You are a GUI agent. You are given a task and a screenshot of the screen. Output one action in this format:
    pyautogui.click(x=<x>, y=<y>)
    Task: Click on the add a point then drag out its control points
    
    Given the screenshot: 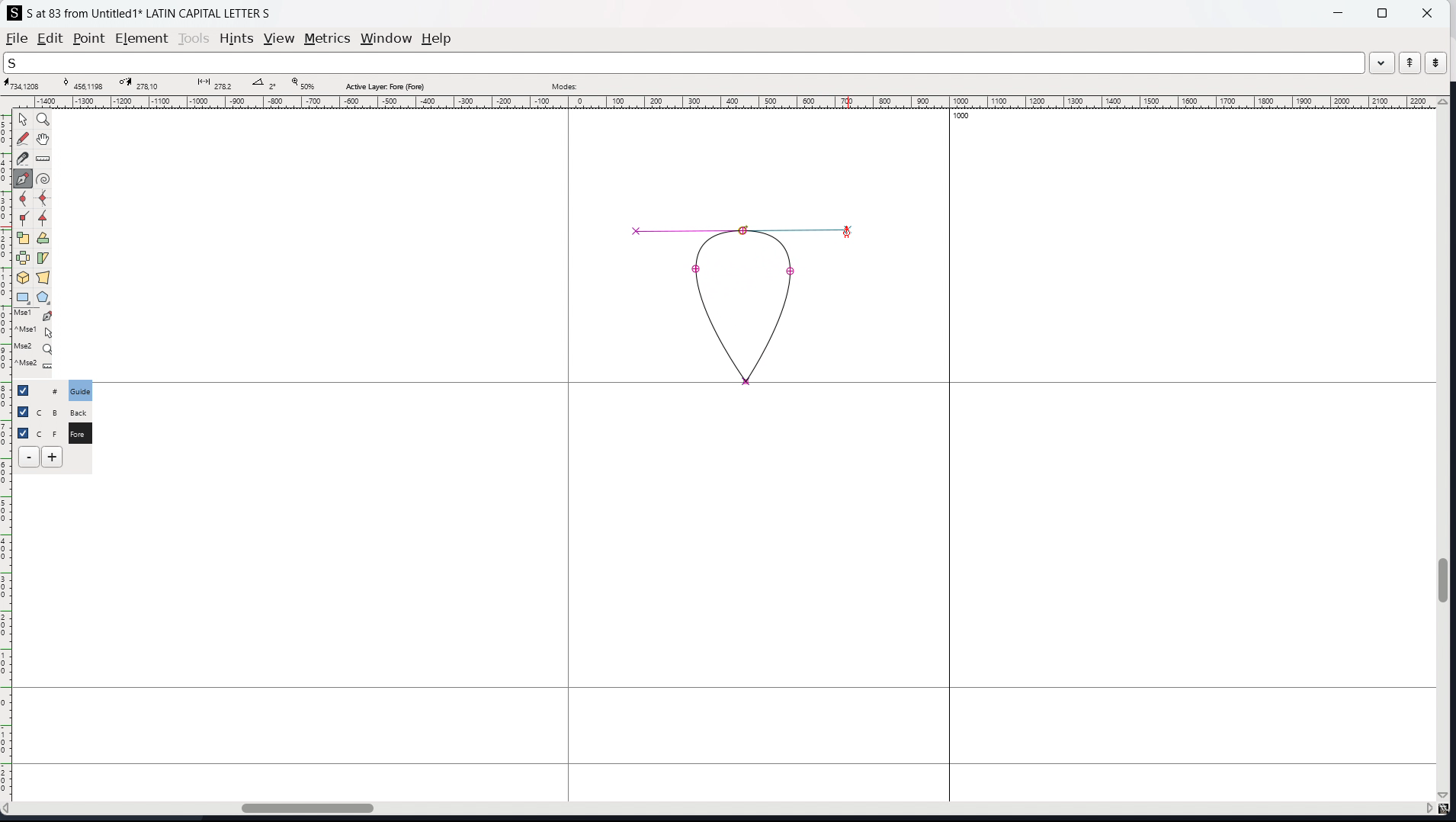 What is the action you would take?
    pyautogui.click(x=24, y=178)
    